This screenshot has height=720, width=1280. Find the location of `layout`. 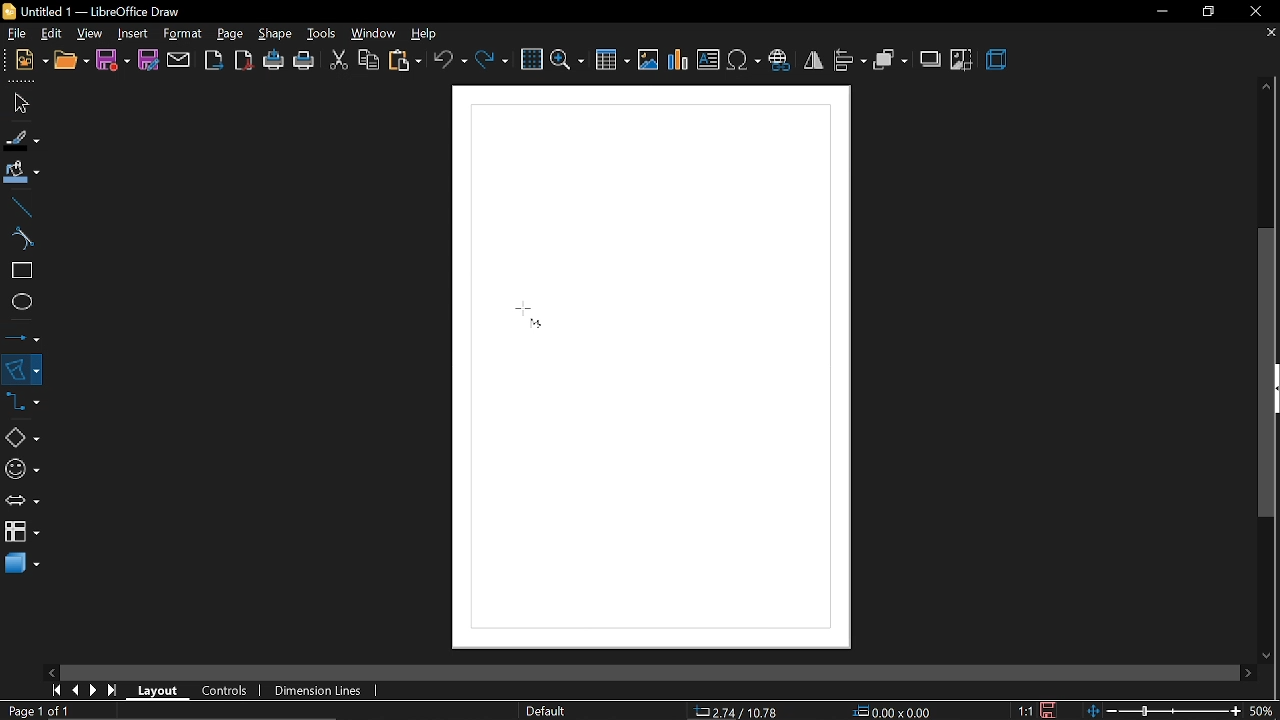

layout is located at coordinates (160, 691).